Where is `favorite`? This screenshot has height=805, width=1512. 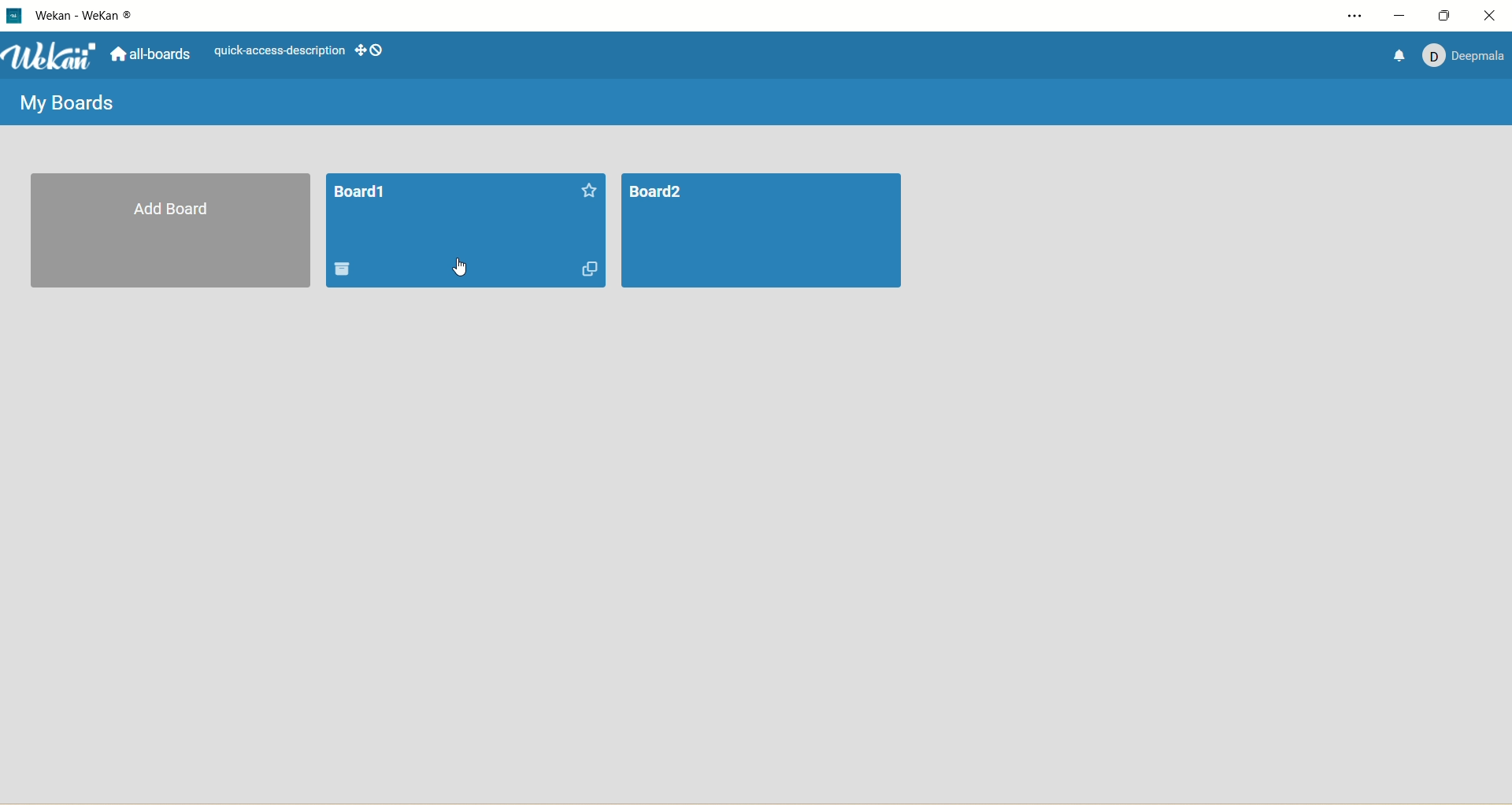 favorite is located at coordinates (585, 187).